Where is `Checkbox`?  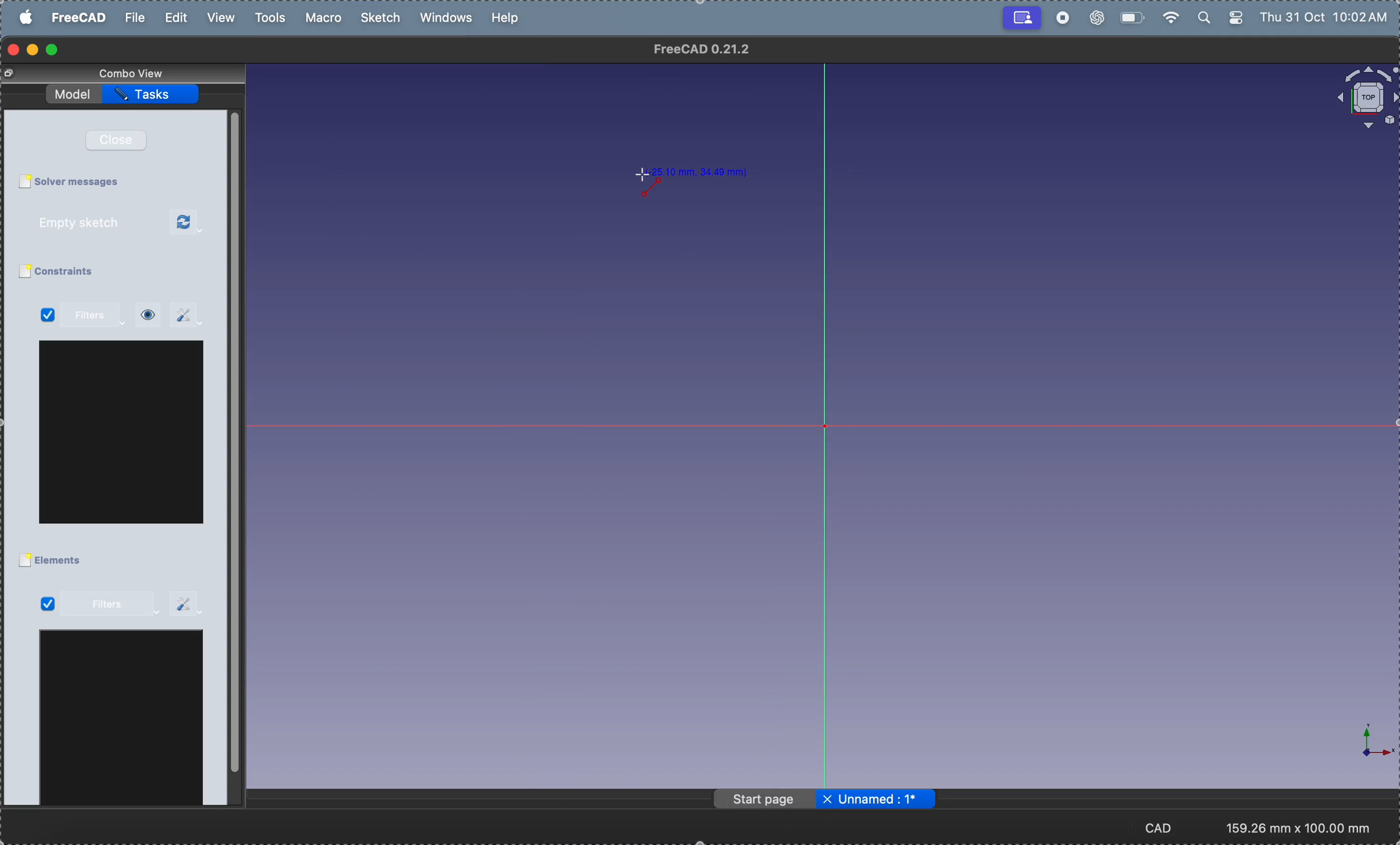
Checkbox is located at coordinates (24, 561).